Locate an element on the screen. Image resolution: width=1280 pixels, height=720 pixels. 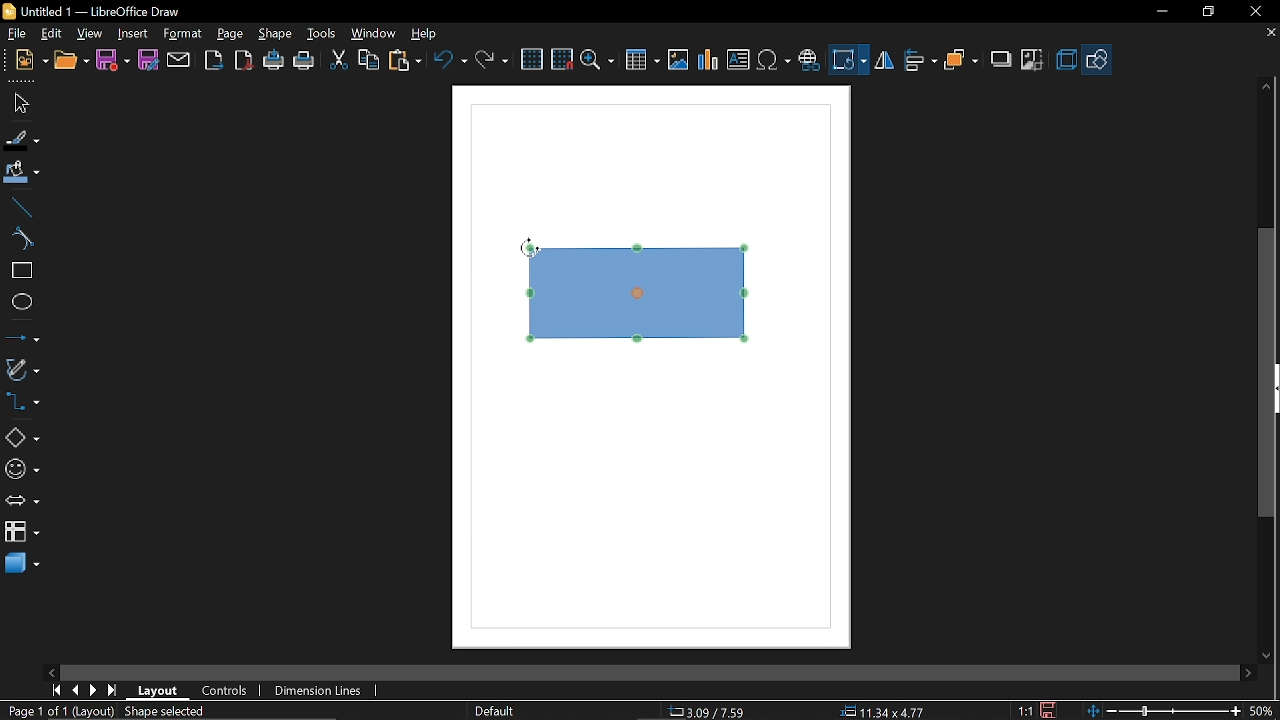
close is located at coordinates (1254, 11).